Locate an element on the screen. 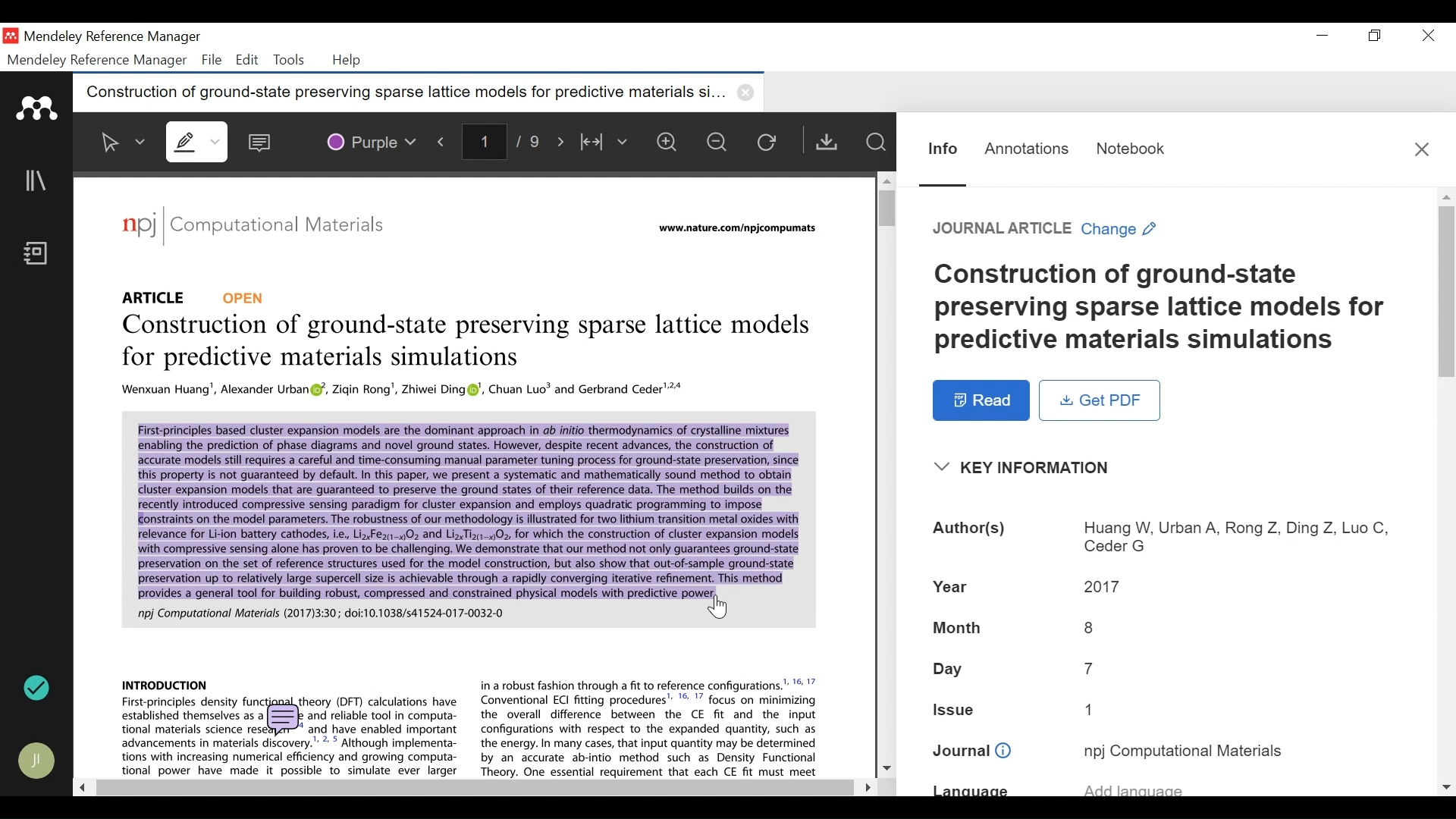 Image resolution: width=1456 pixels, height=819 pixels. Scroll Left is located at coordinates (80, 786).